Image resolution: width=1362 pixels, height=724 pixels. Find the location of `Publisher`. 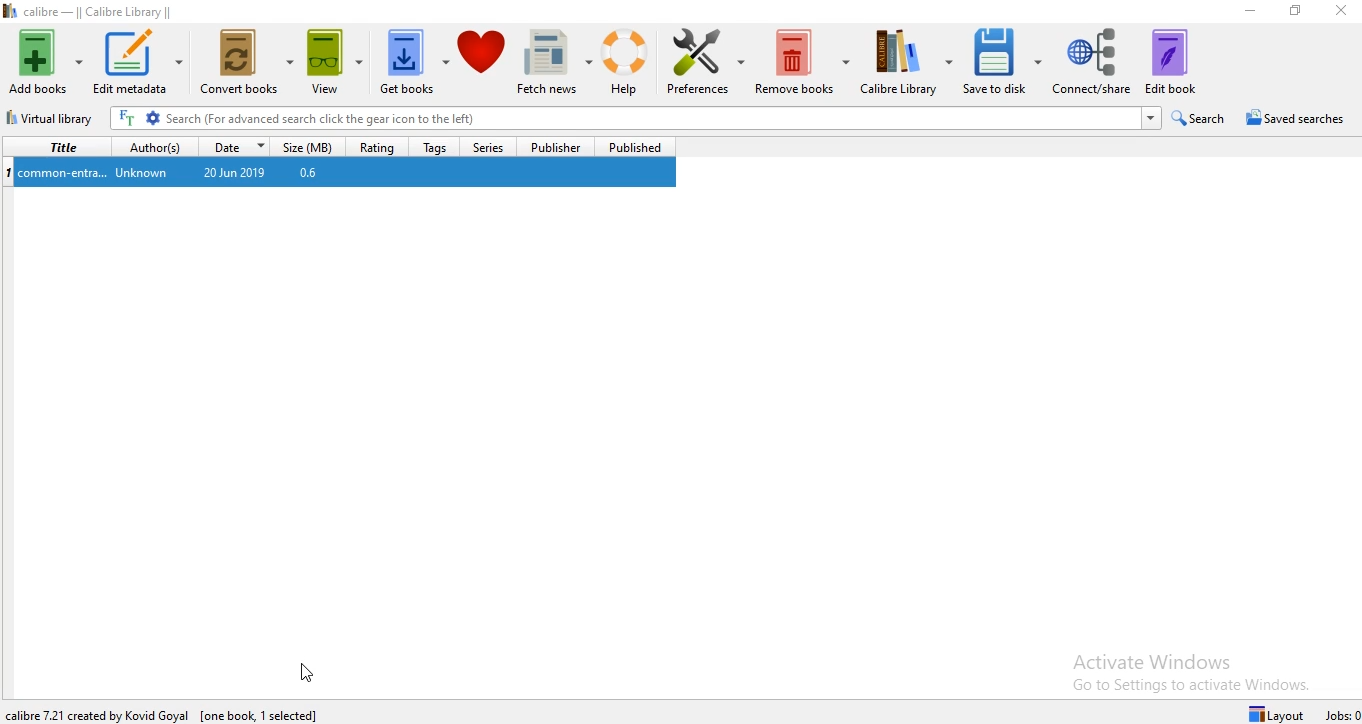

Publisher is located at coordinates (551, 146).